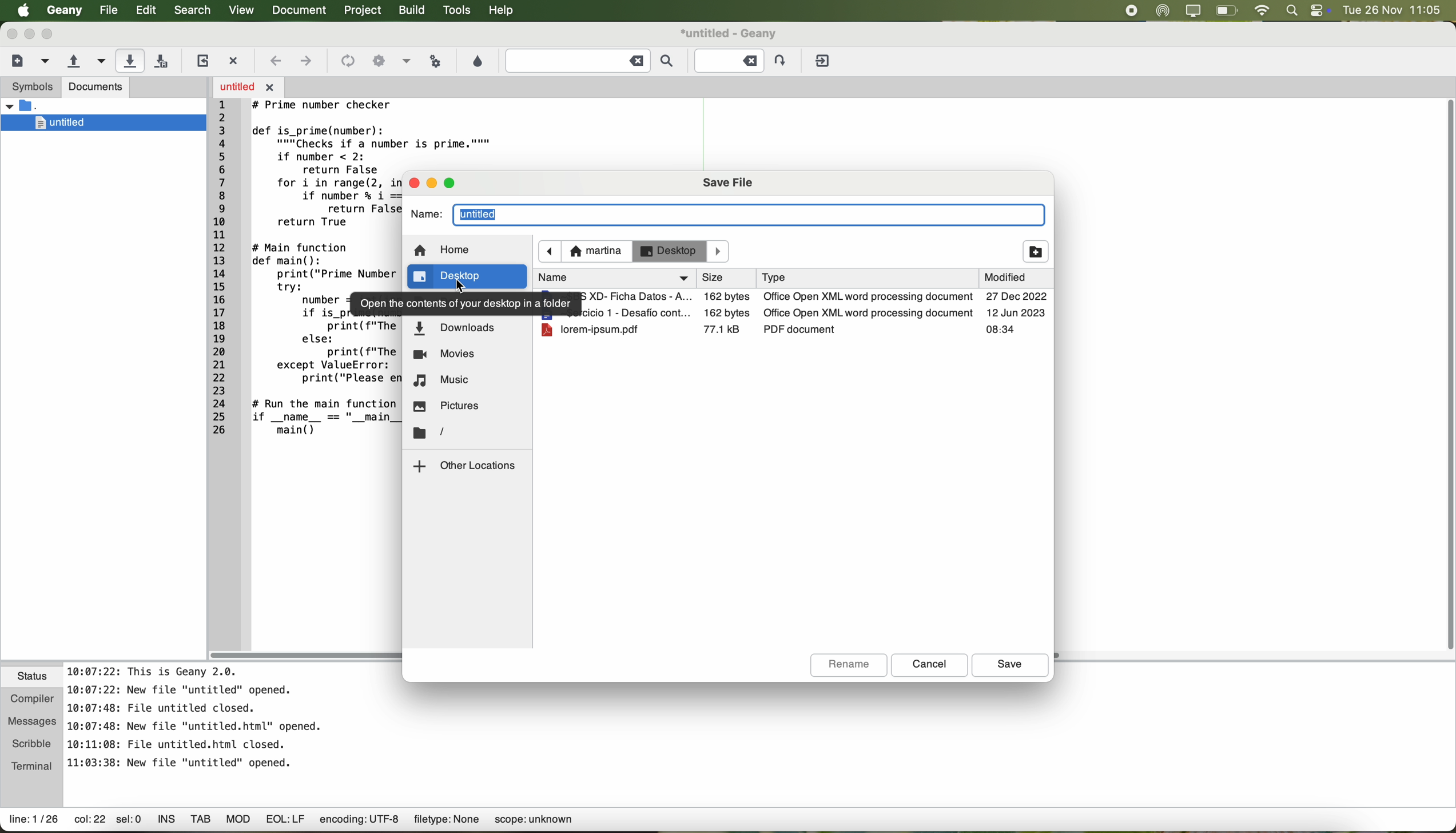  Describe the element at coordinates (465, 277) in the screenshot. I see `click on desktop` at that location.